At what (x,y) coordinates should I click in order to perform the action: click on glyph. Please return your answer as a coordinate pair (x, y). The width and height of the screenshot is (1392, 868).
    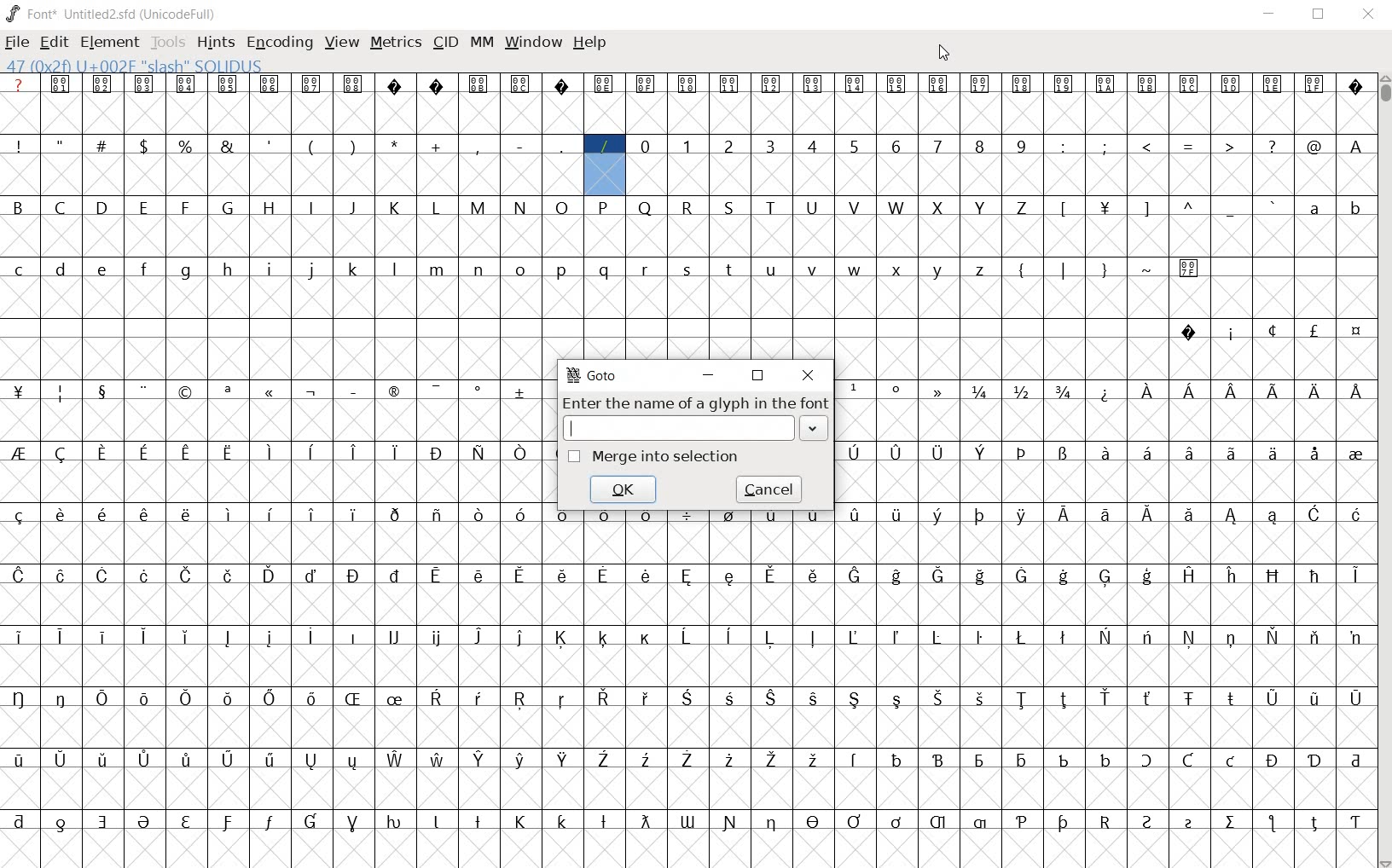
    Looking at the image, I should click on (1147, 84).